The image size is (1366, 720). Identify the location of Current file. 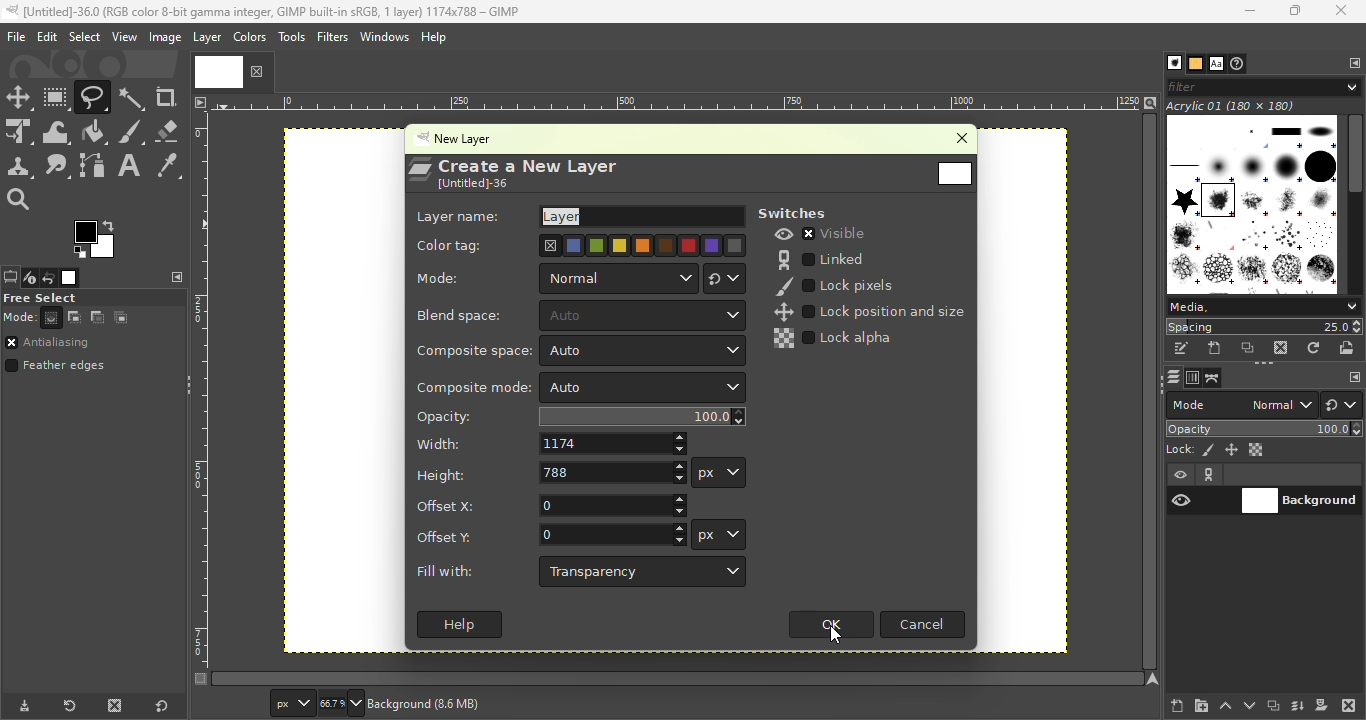
(231, 71).